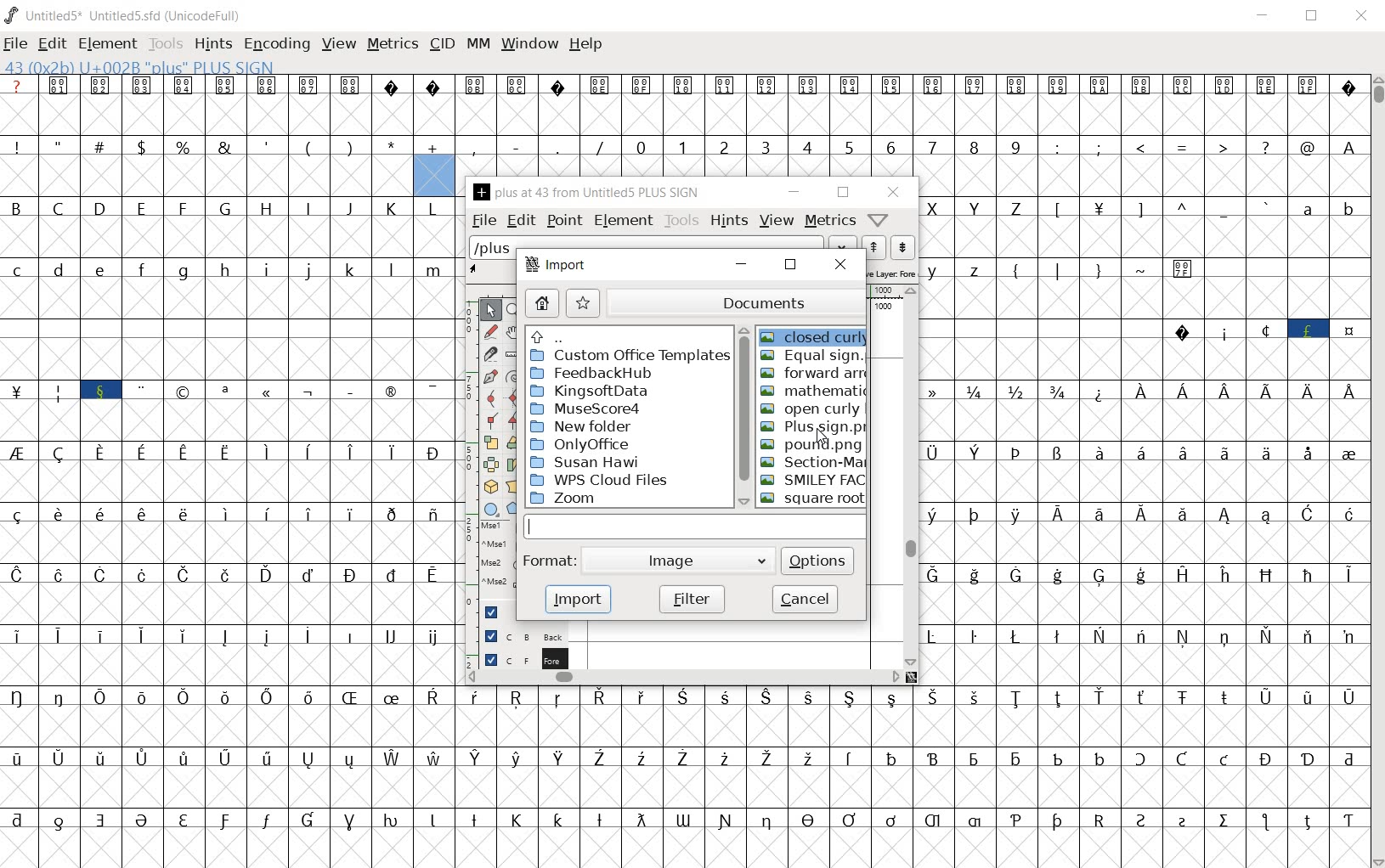 The image size is (1385, 868). What do you see at coordinates (591, 391) in the screenshot?
I see `KingsofData` at bounding box center [591, 391].